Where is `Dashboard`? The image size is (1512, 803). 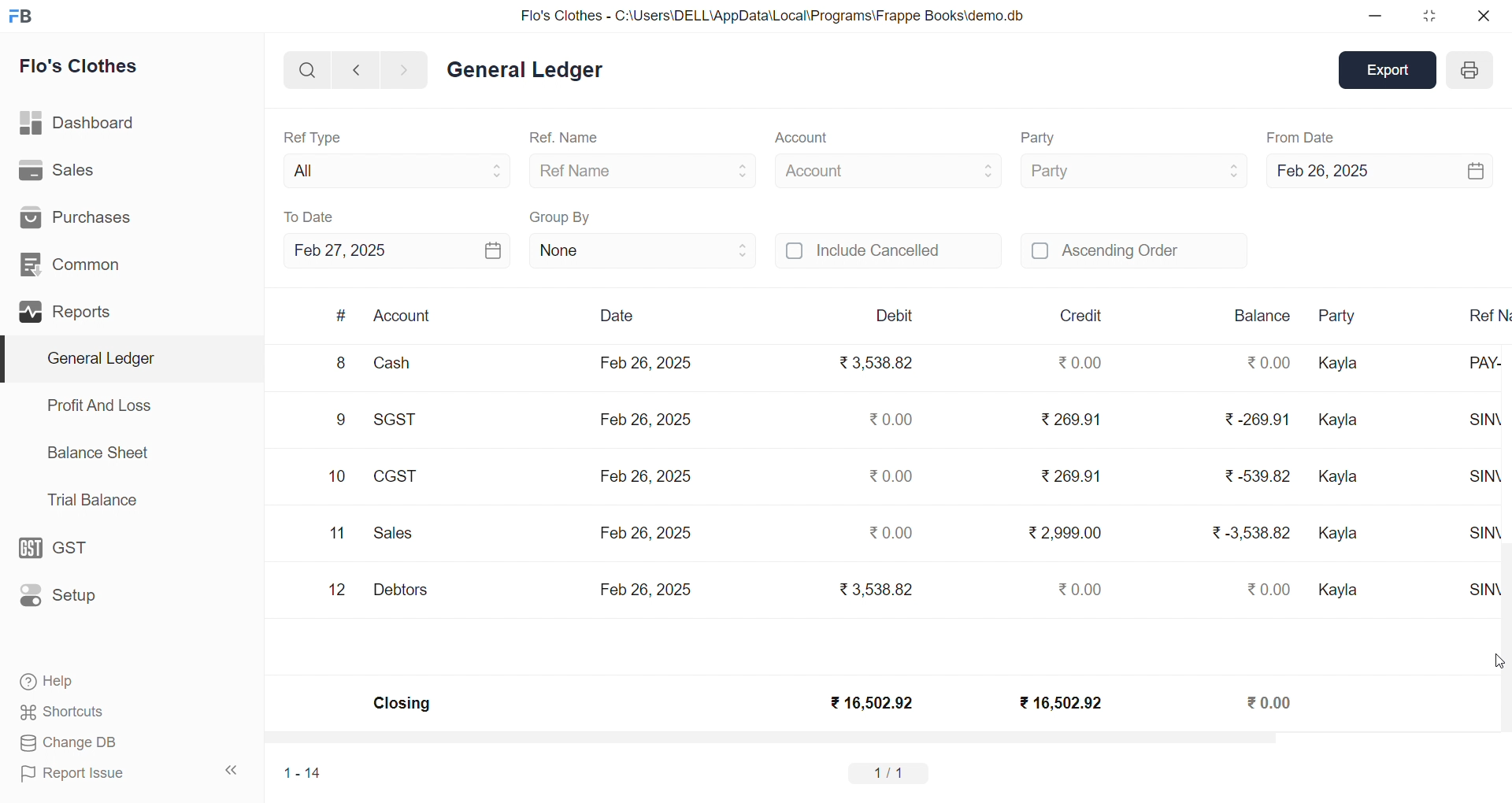
Dashboard is located at coordinates (75, 120).